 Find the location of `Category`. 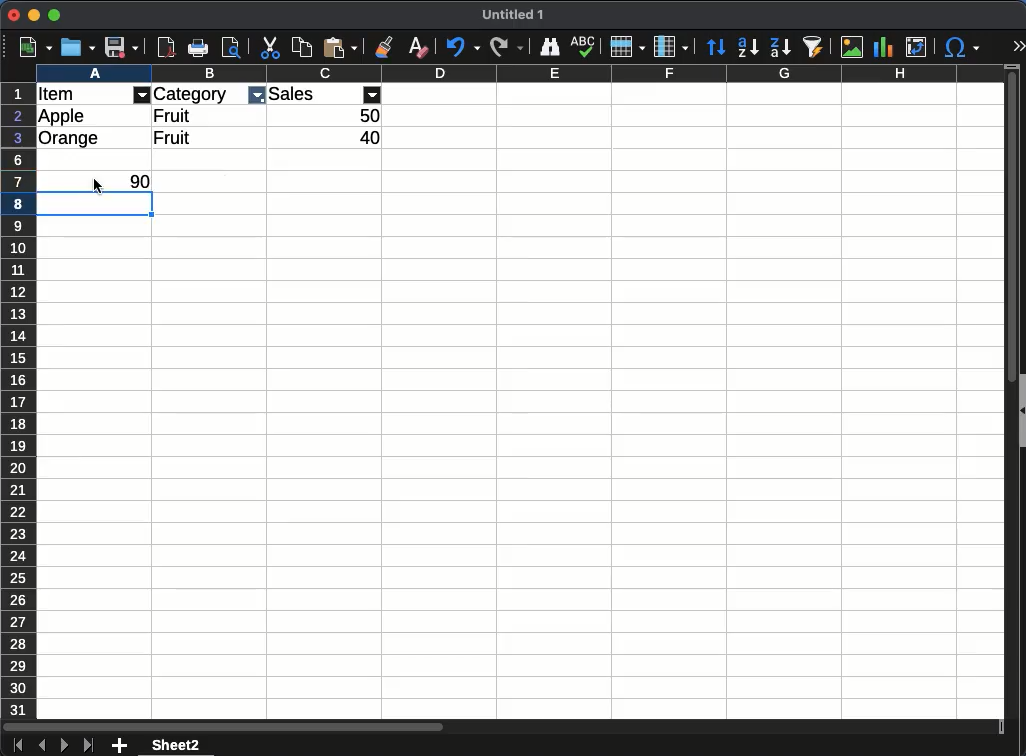

Category is located at coordinates (192, 94).